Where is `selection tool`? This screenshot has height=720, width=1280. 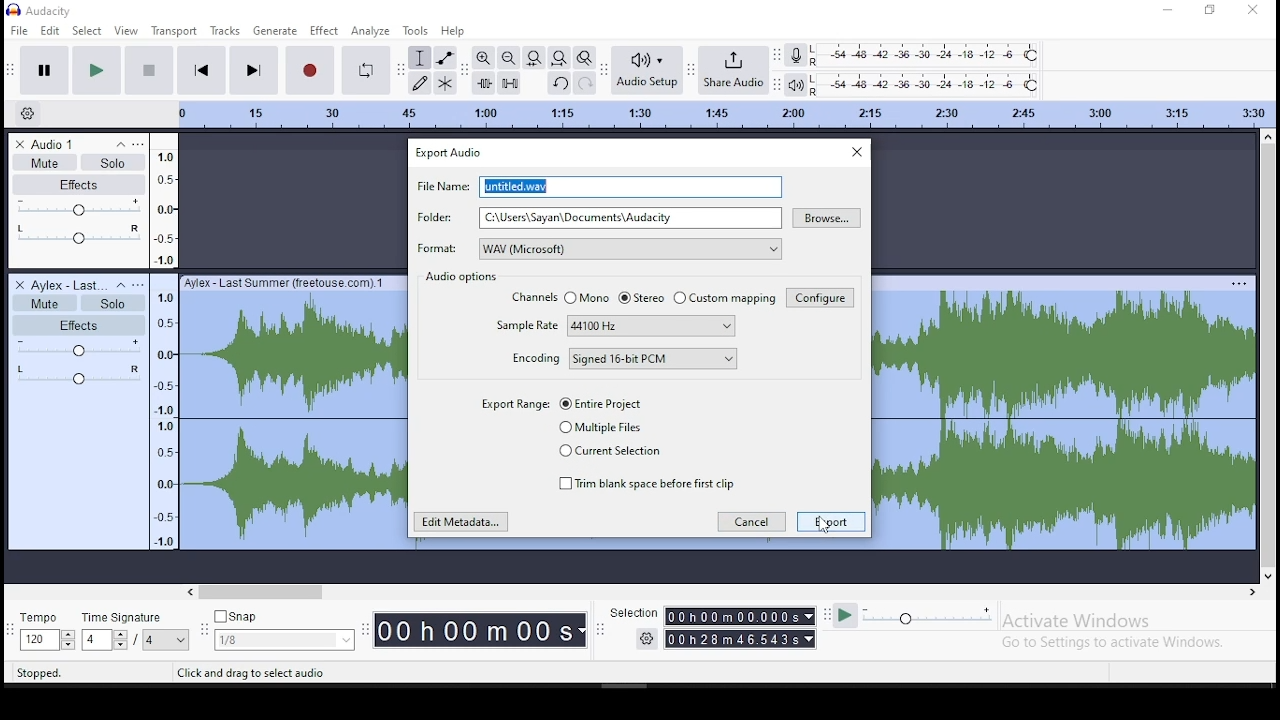
selection tool is located at coordinates (420, 58).